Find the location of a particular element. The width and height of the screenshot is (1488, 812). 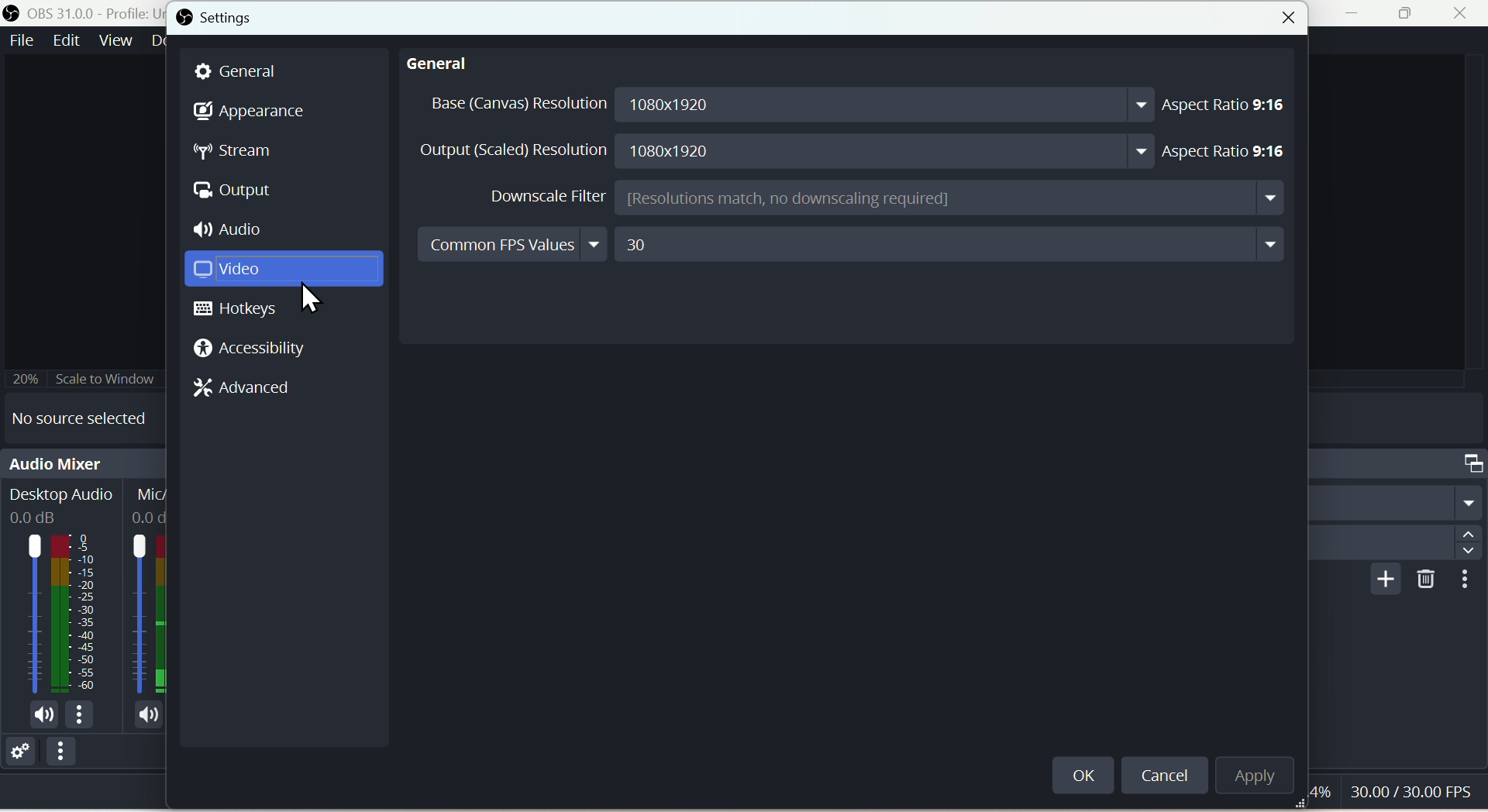

Maximise is located at coordinates (1410, 15).